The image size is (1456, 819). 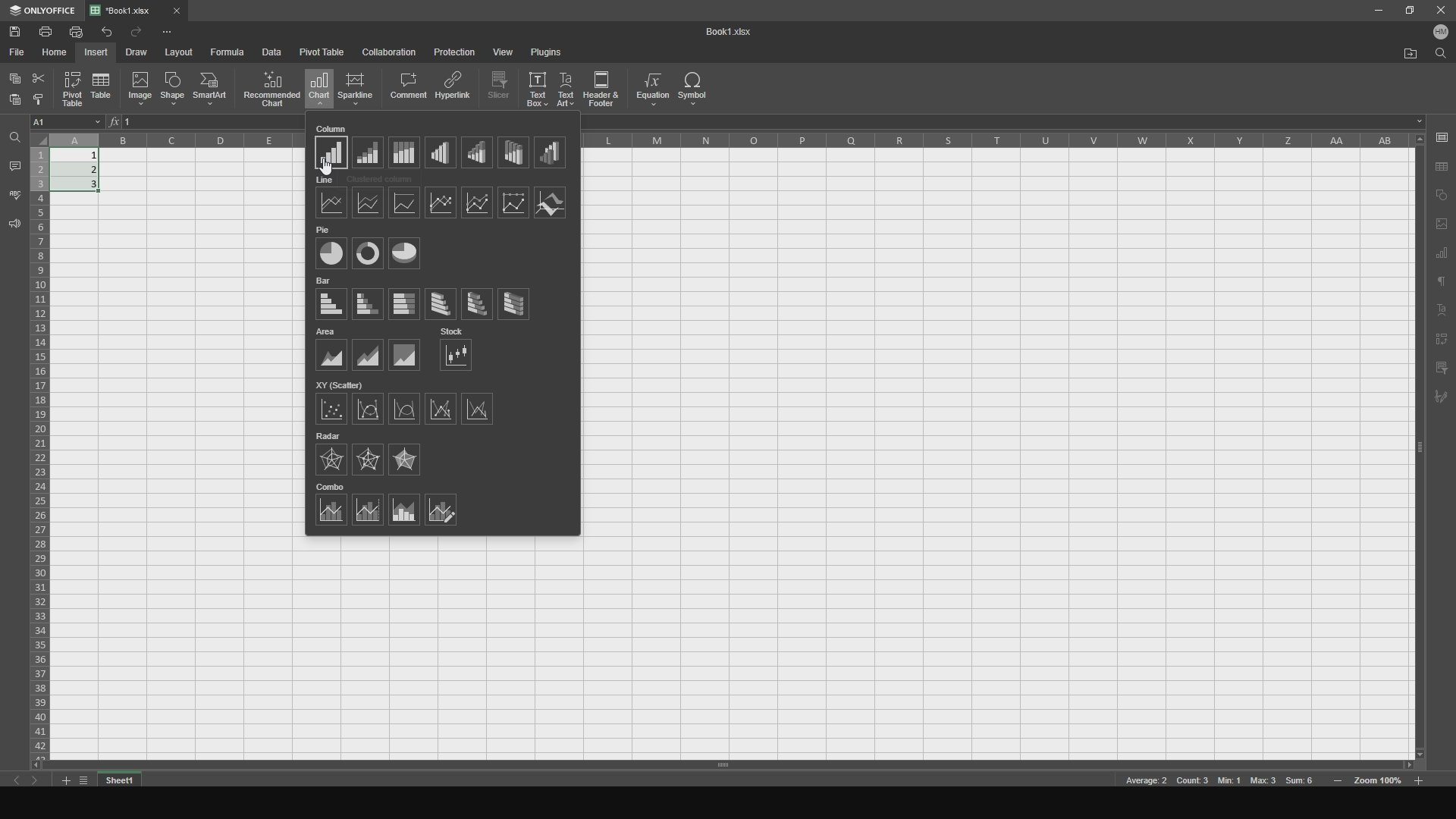 I want to click on comments, so click(x=14, y=165).